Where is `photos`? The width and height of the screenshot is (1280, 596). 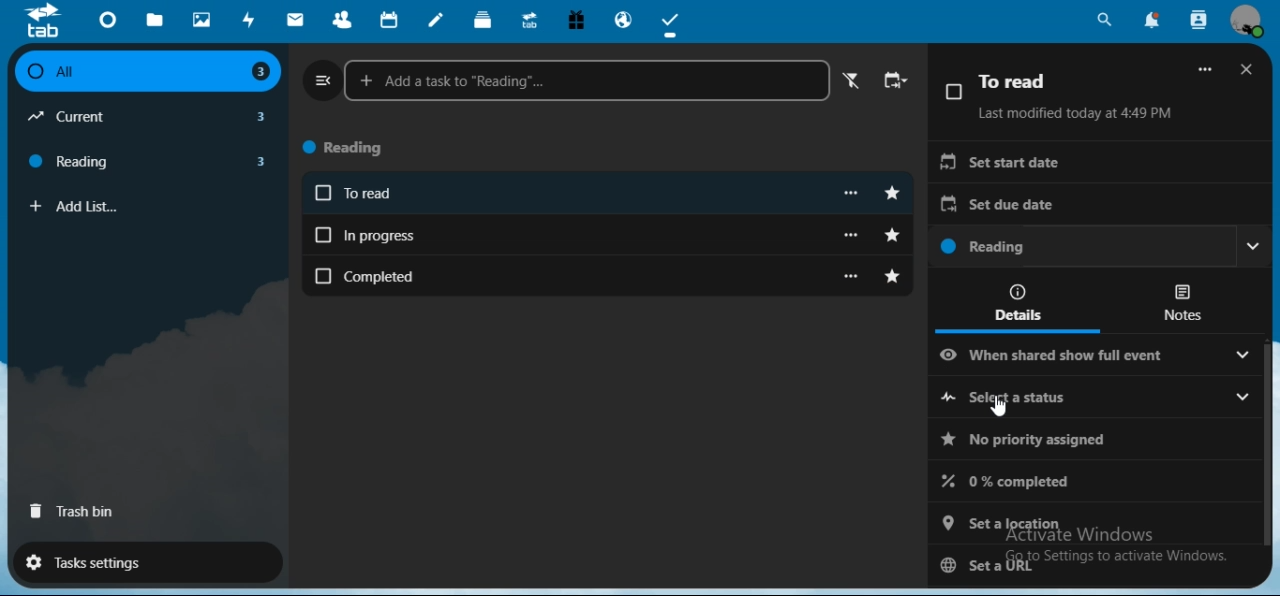
photos is located at coordinates (202, 19).